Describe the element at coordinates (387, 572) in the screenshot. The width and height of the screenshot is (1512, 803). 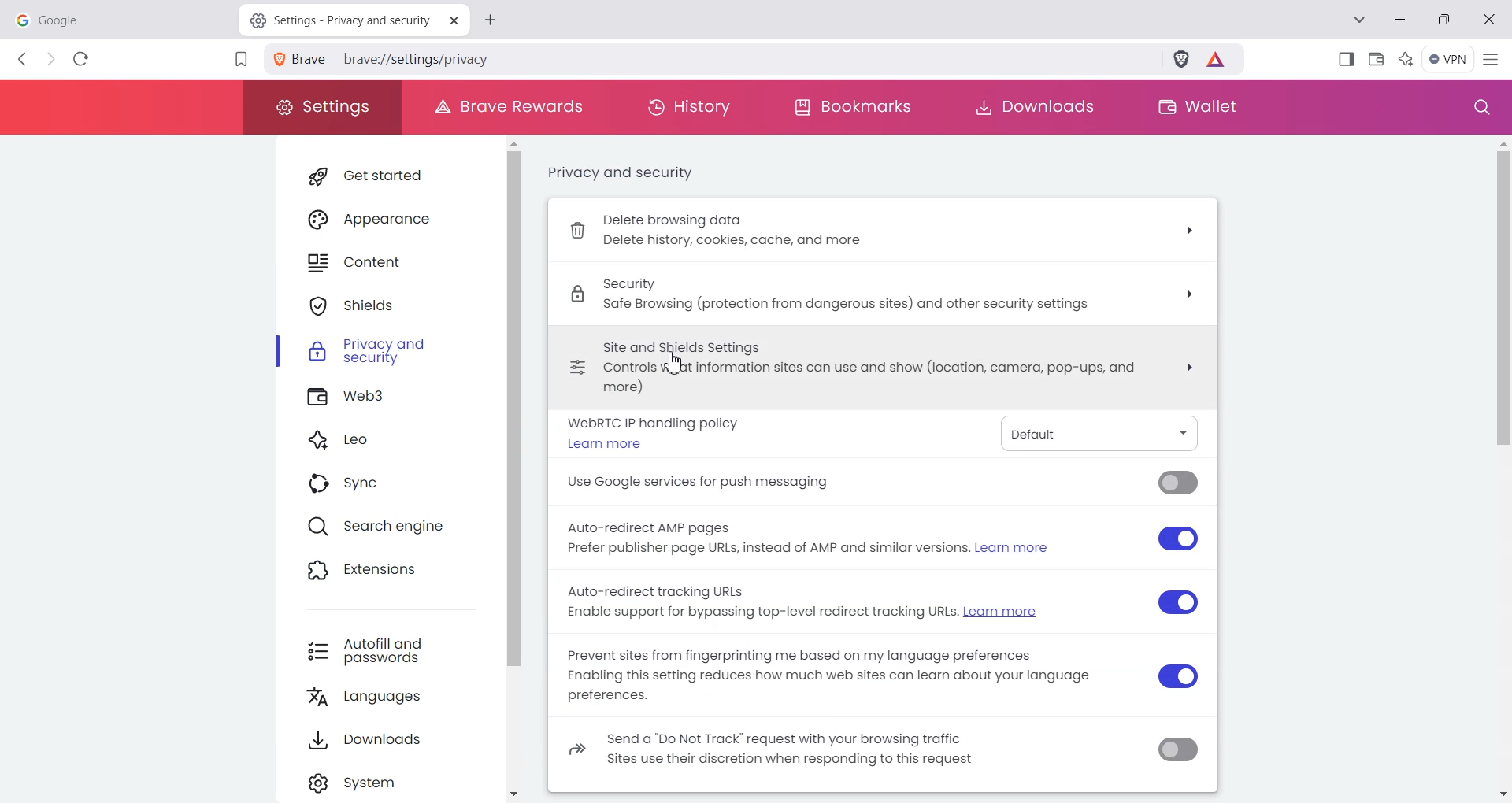
I see `Extensions` at that location.